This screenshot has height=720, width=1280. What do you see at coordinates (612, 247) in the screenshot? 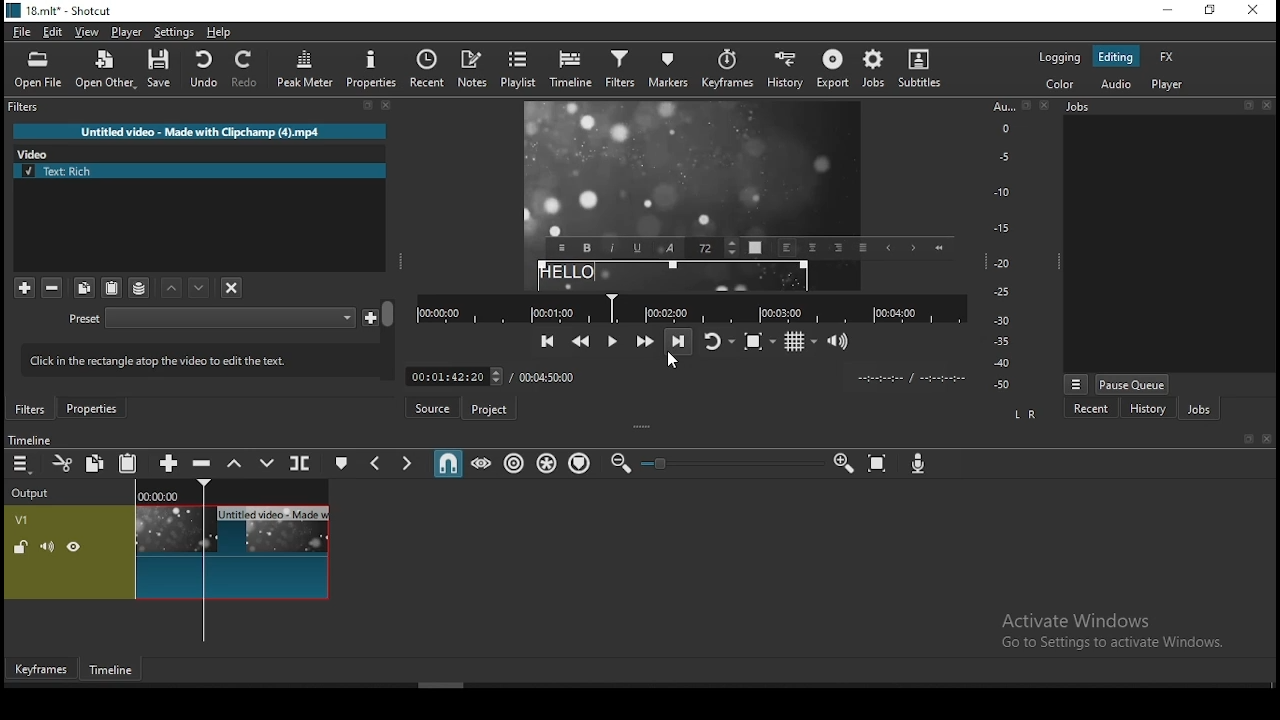
I see `Italic` at bounding box center [612, 247].